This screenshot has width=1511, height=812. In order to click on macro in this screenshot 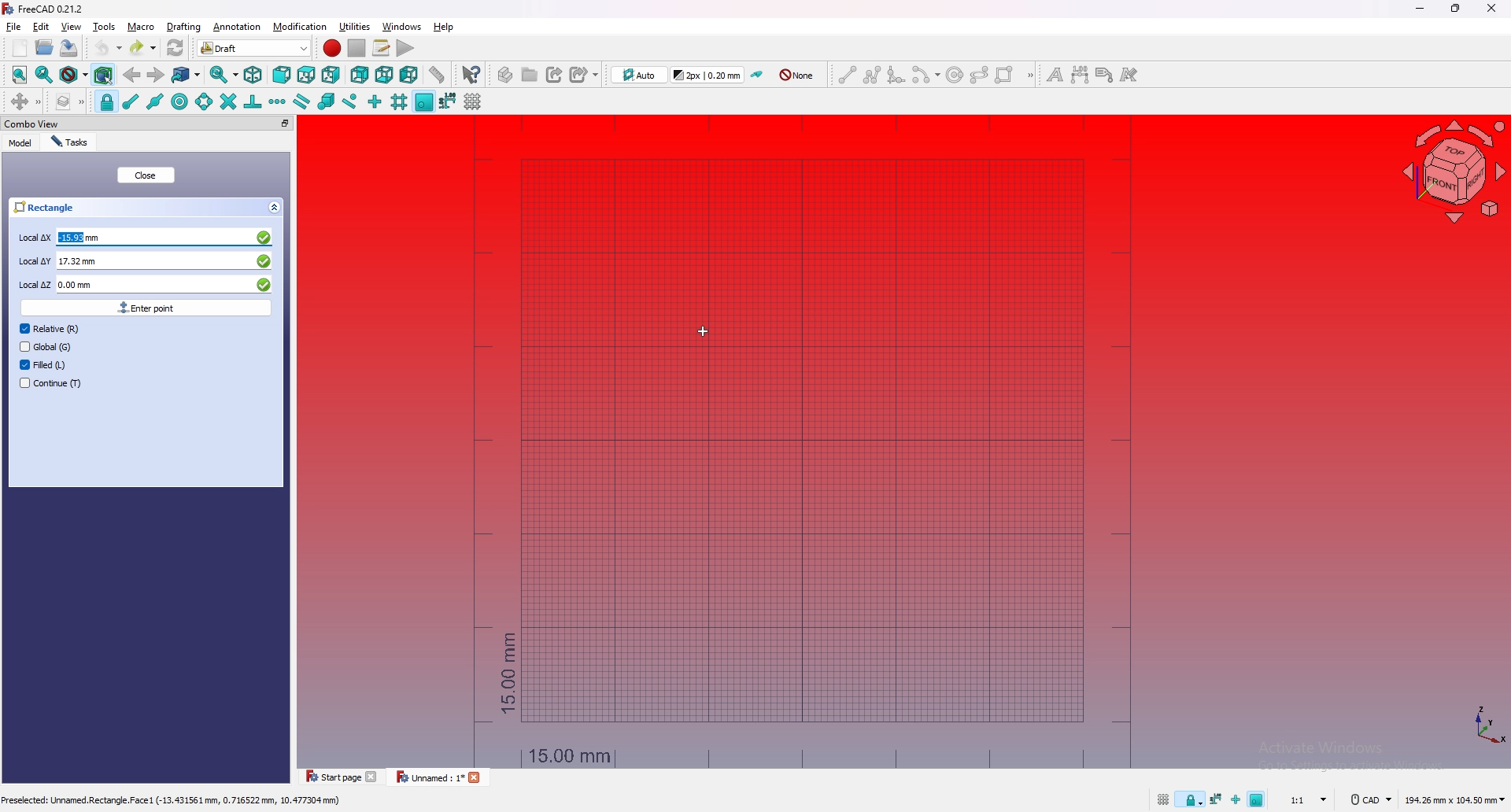, I will do `click(141, 27)`.